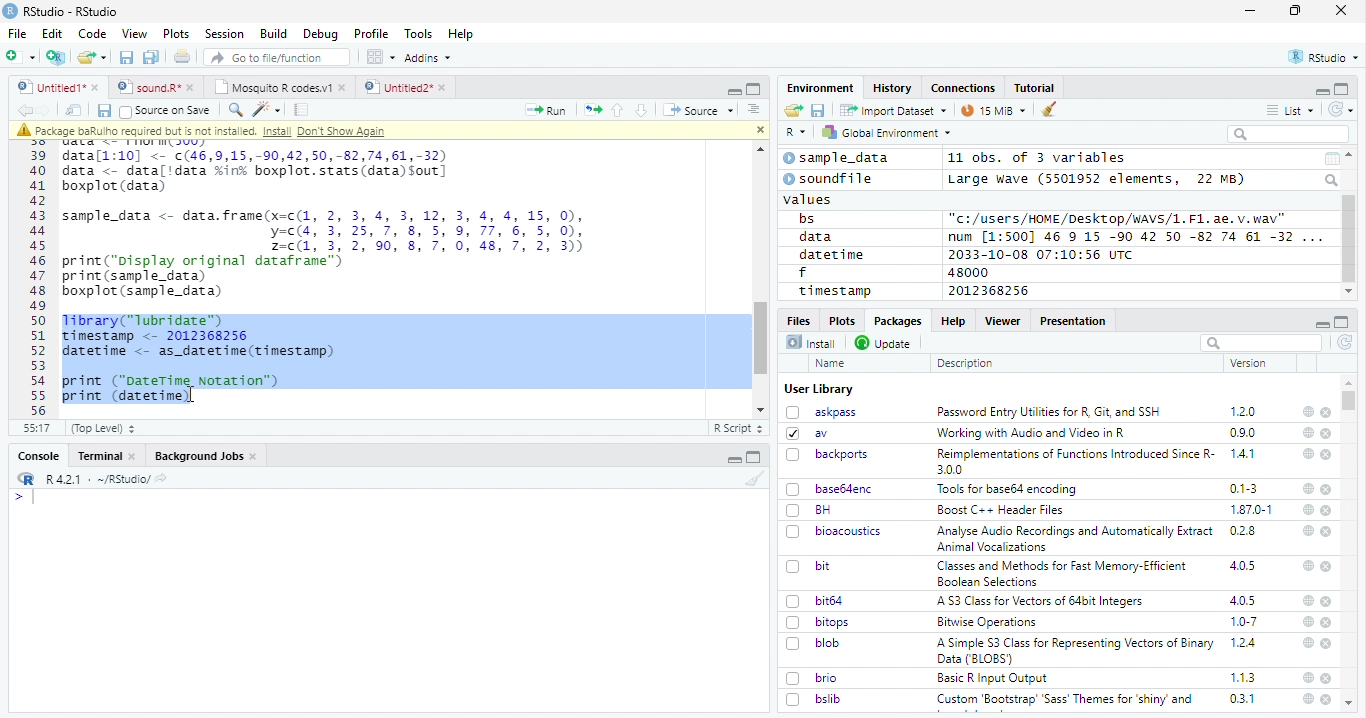 The height and width of the screenshot is (718, 1366). I want to click on Background Jobs, so click(206, 456).